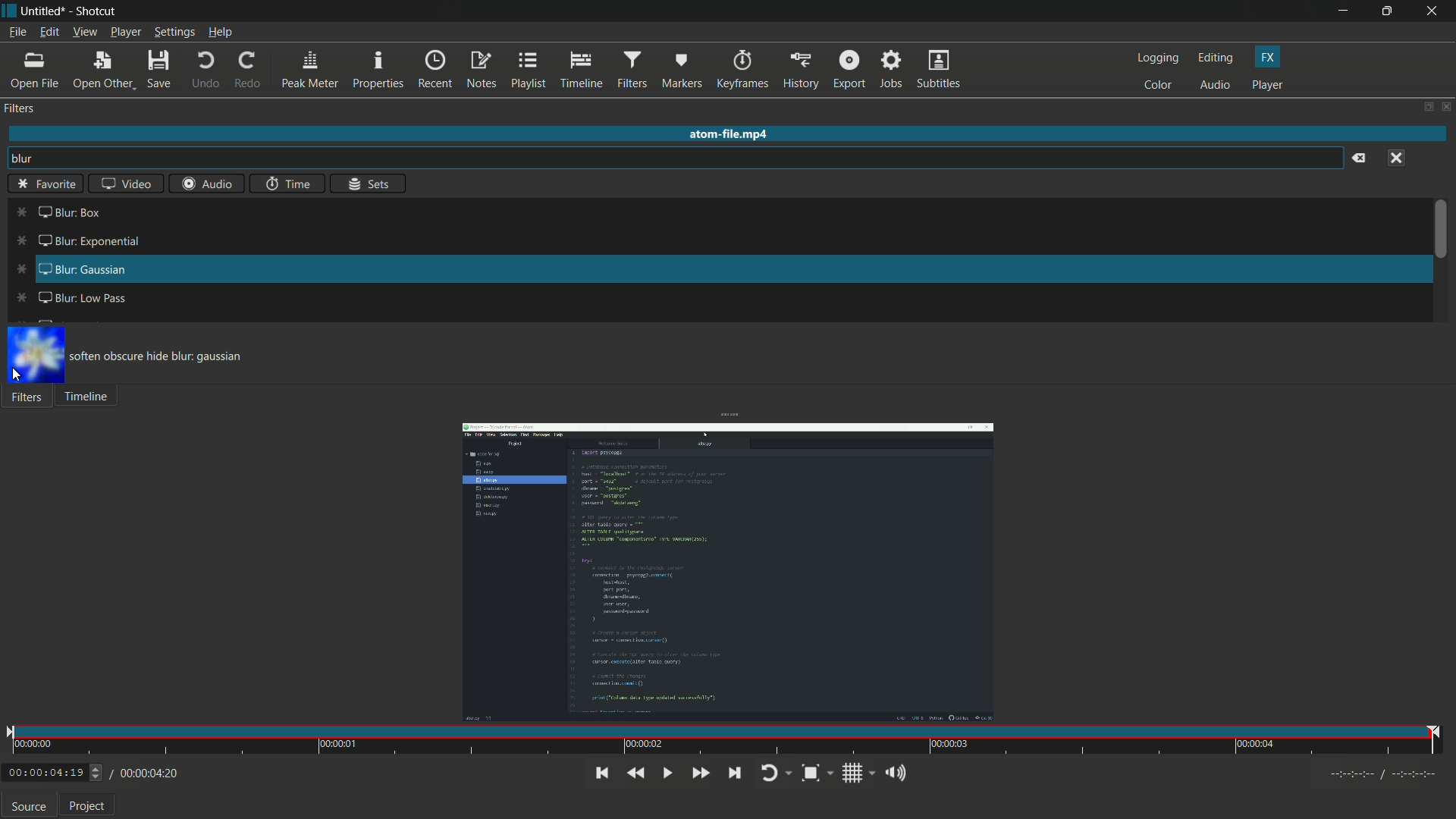  What do you see at coordinates (222, 33) in the screenshot?
I see `help menu` at bounding box center [222, 33].